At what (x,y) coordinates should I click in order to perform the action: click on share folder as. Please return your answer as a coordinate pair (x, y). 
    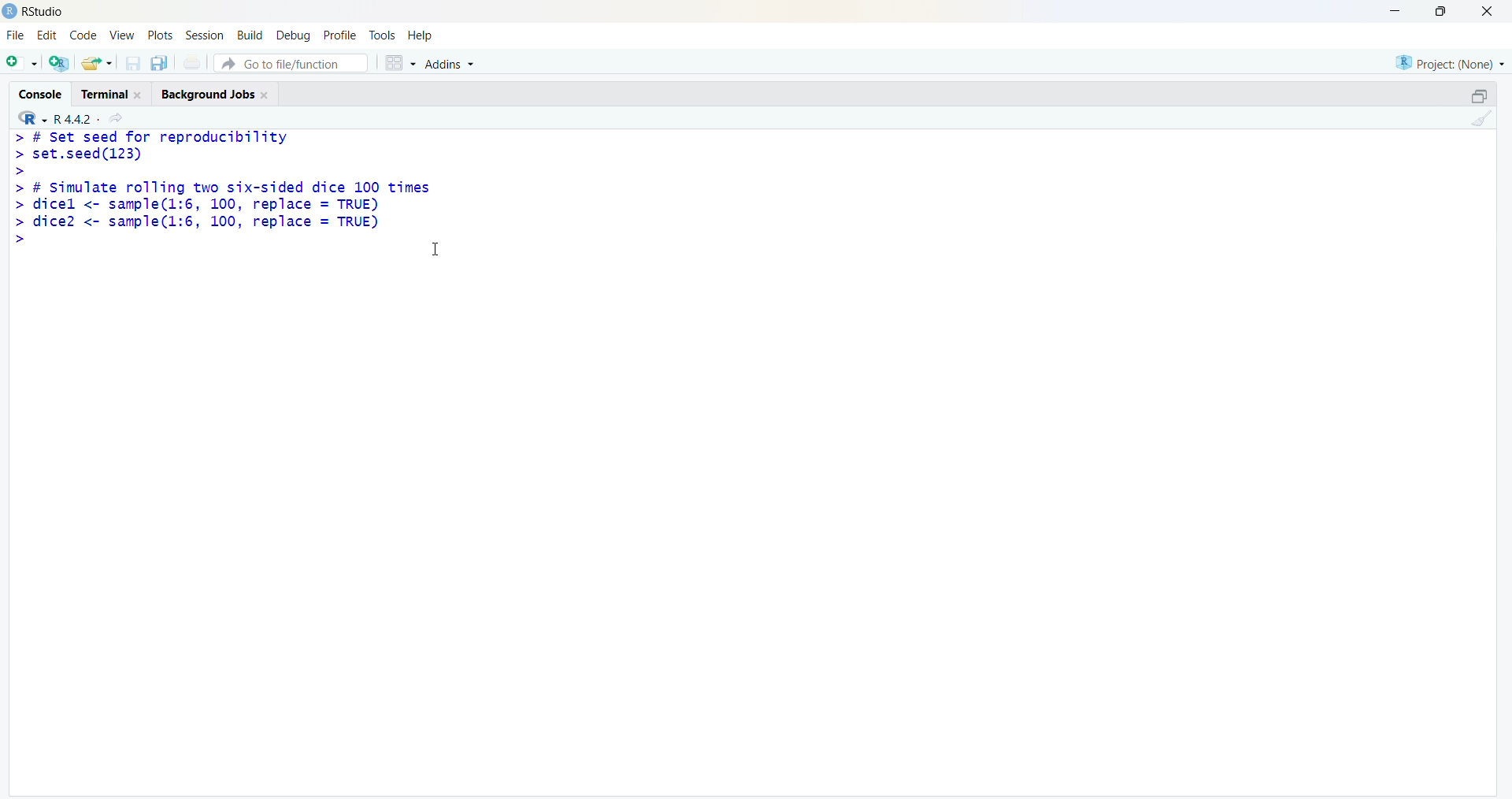
    Looking at the image, I should click on (96, 63).